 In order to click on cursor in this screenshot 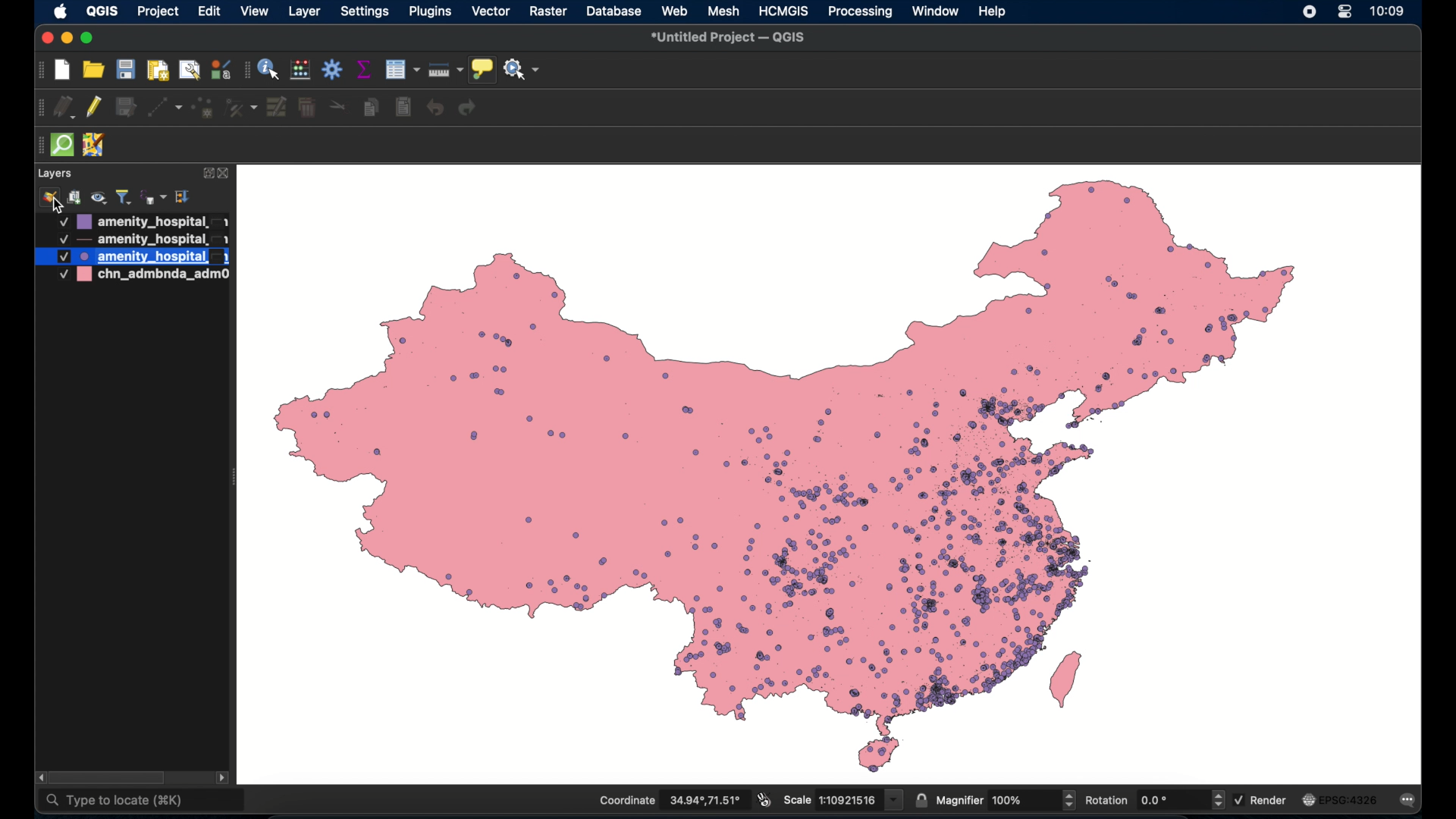, I will do `click(58, 205)`.